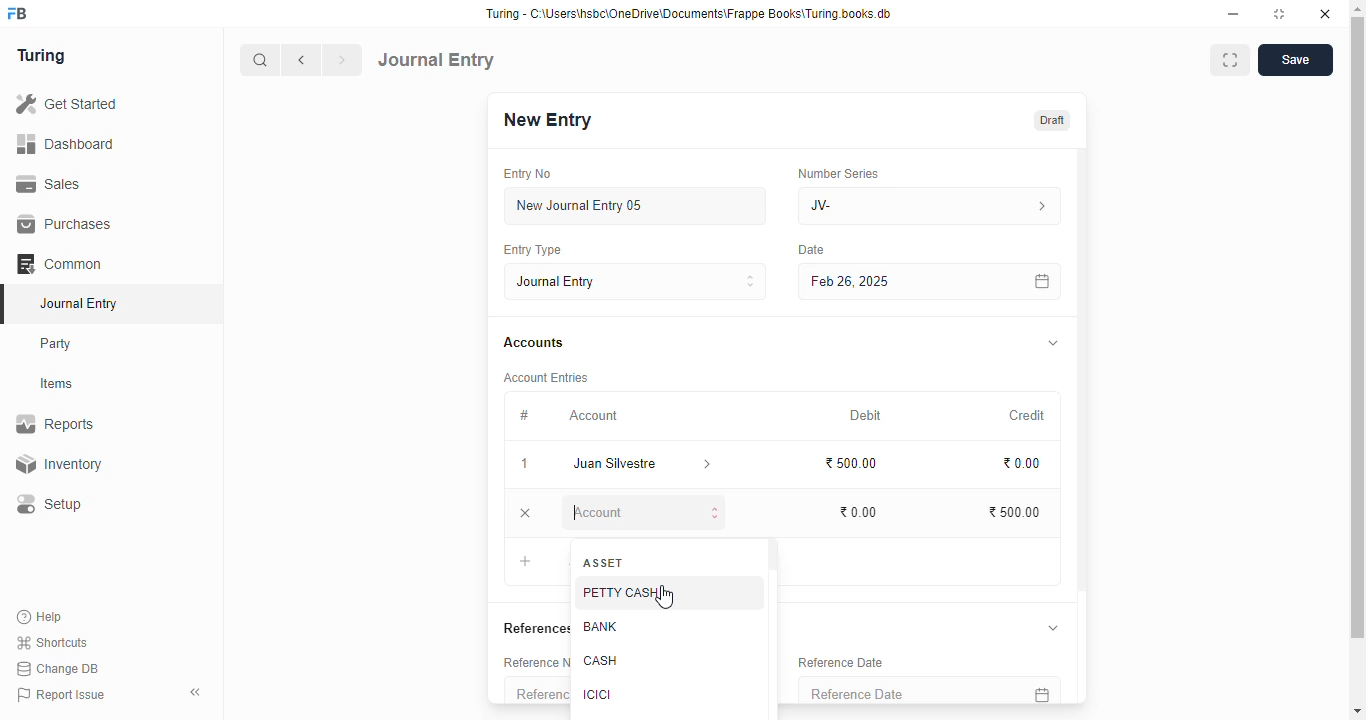 This screenshot has height=720, width=1366. Describe the element at coordinates (1295, 60) in the screenshot. I see `save` at that location.